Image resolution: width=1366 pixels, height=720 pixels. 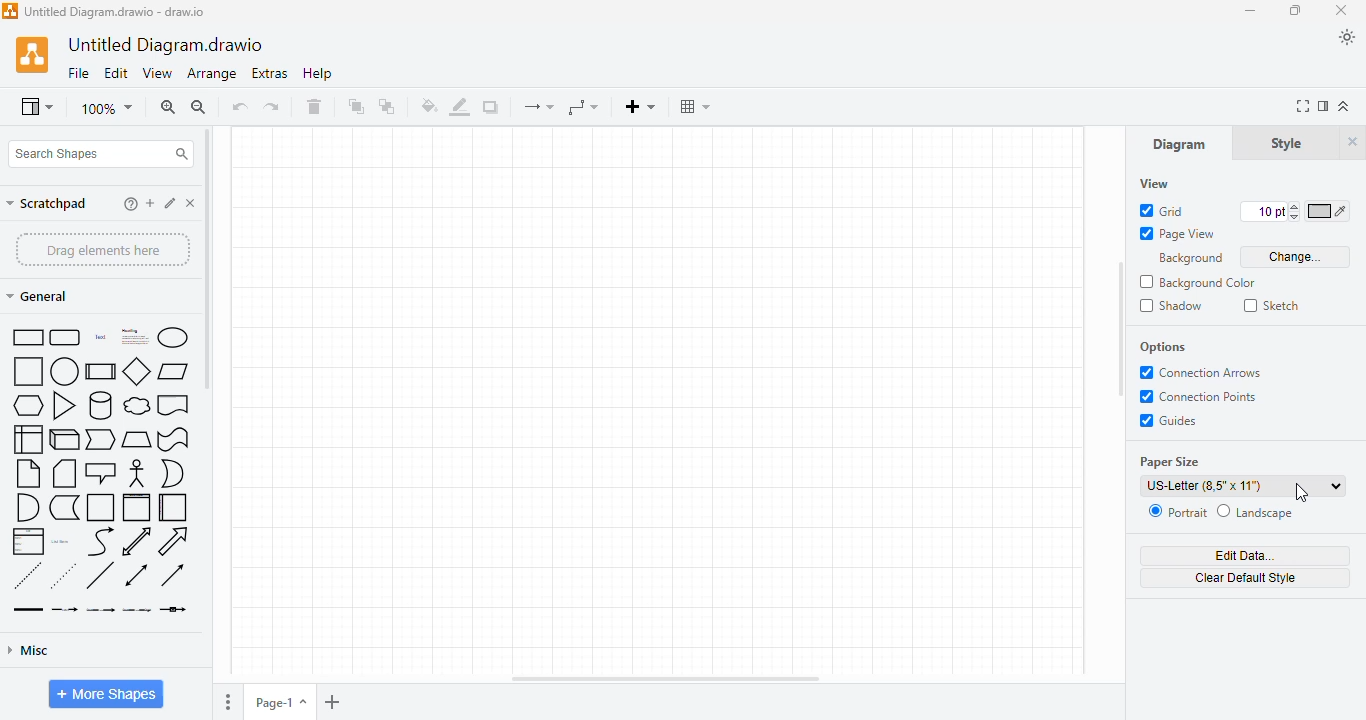 I want to click on cylinder, so click(x=101, y=405).